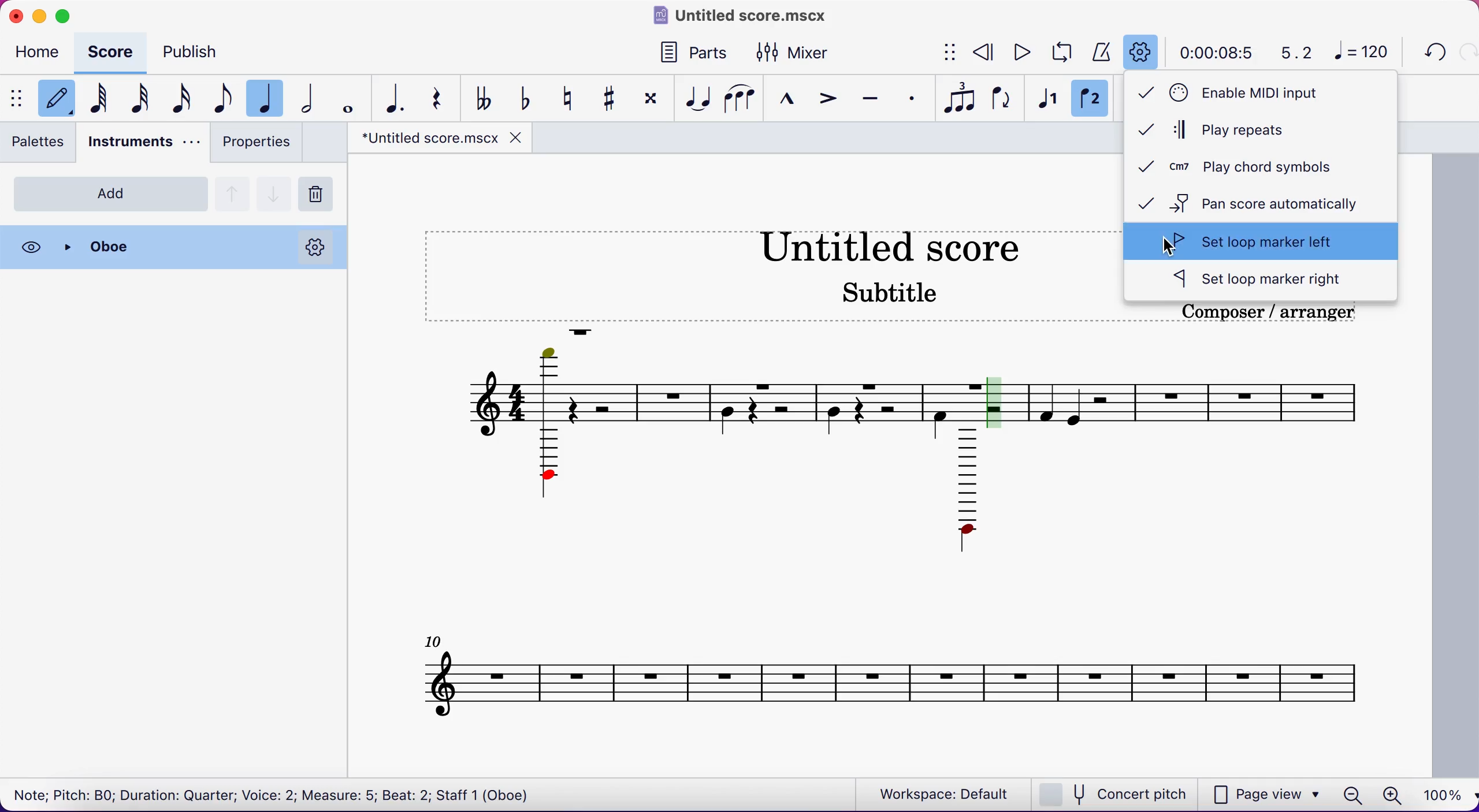  I want to click on palettes, so click(42, 145).